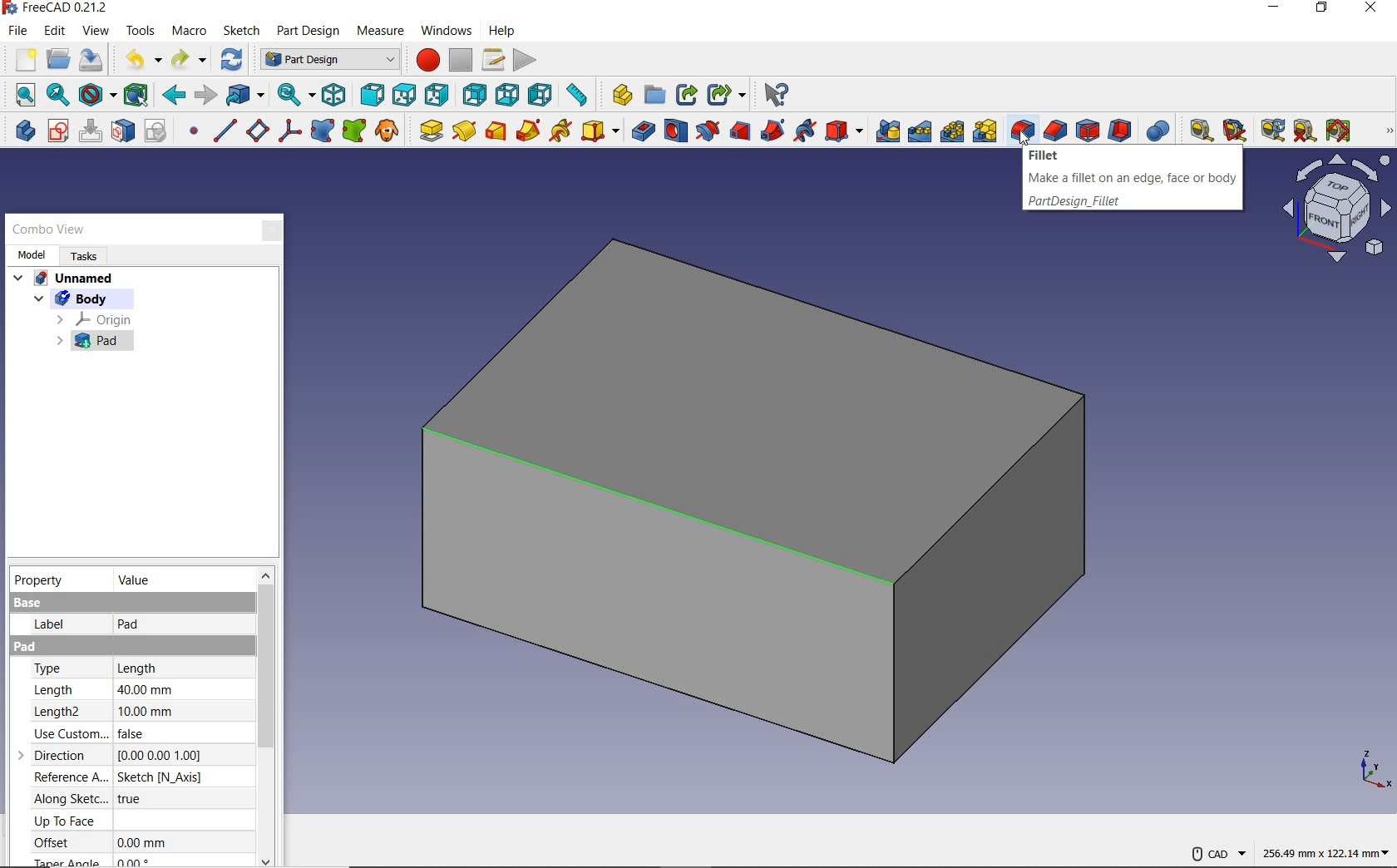  Describe the element at coordinates (266, 717) in the screenshot. I see `scrollbar` at that location.